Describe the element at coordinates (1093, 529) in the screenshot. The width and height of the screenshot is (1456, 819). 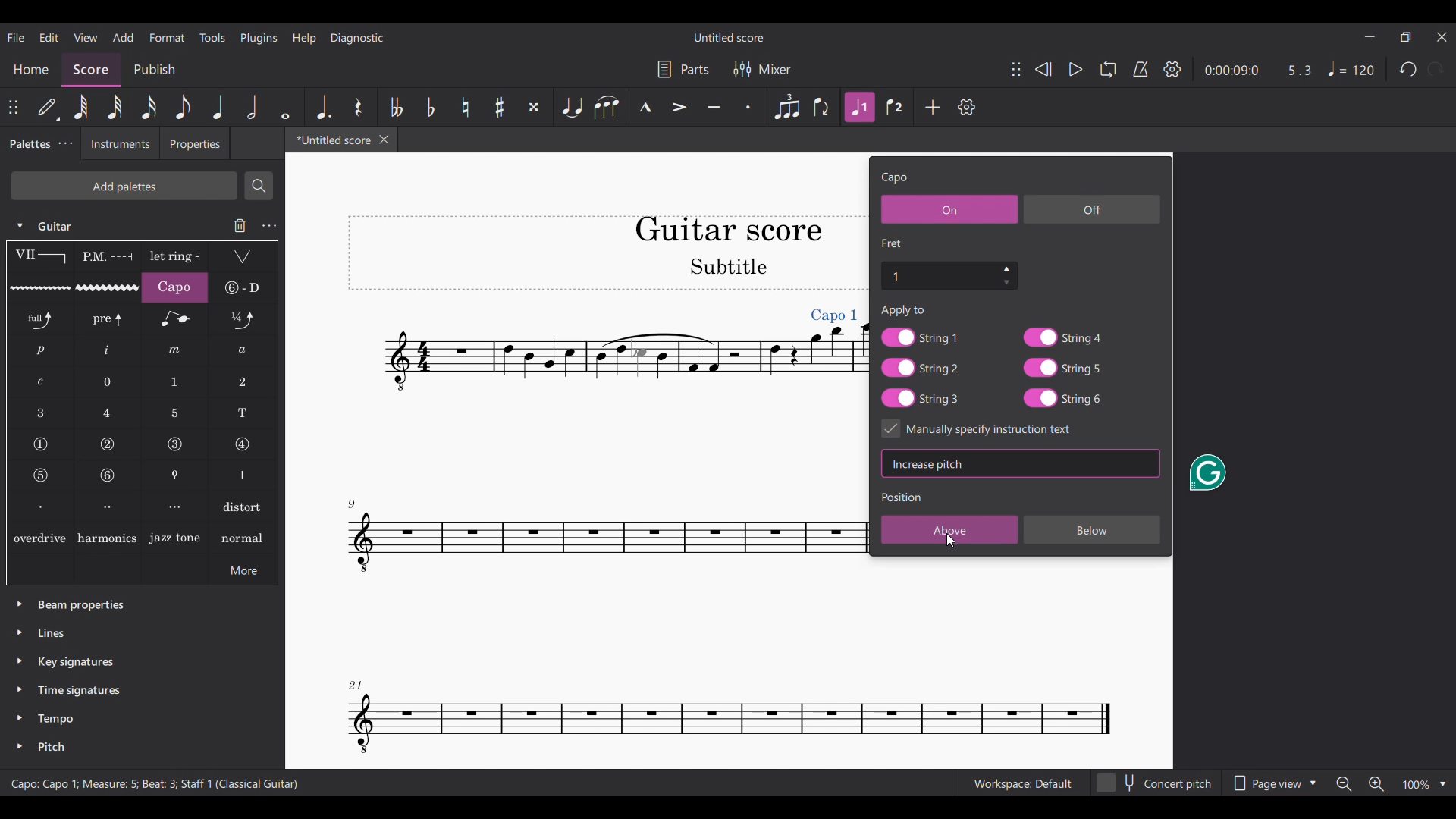
I see `Below` at that location.